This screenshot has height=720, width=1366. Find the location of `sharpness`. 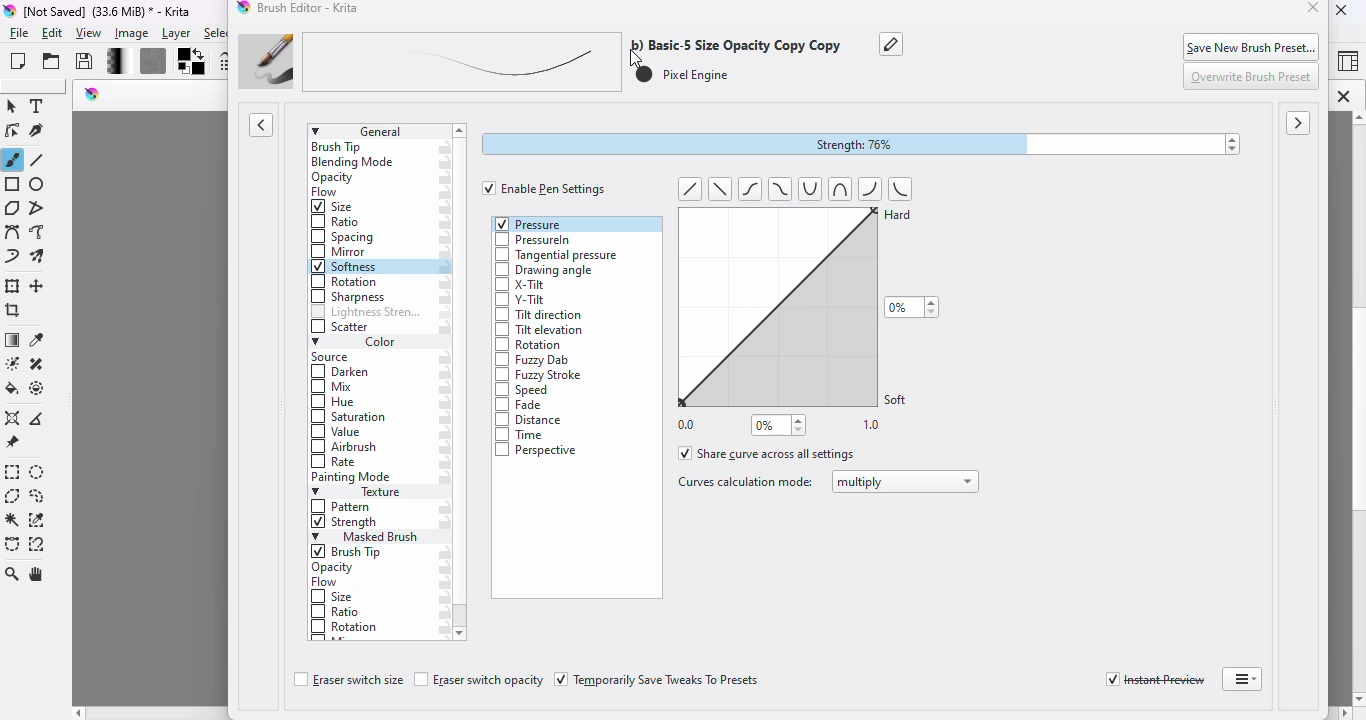

sharpness is located at coordinates (348, 297).